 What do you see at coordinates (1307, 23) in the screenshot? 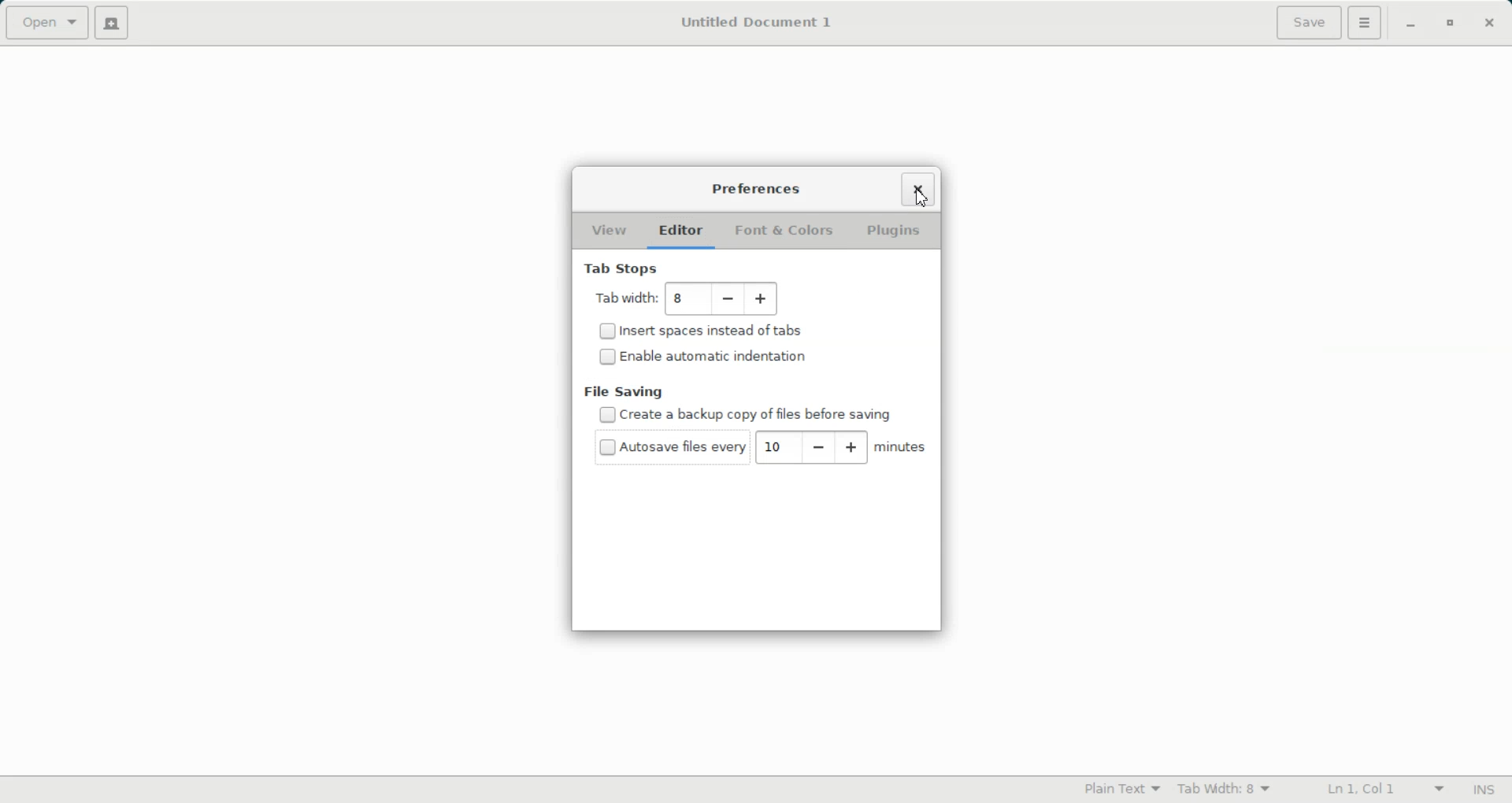
I see `Save` at bounding box center [1307, 23].